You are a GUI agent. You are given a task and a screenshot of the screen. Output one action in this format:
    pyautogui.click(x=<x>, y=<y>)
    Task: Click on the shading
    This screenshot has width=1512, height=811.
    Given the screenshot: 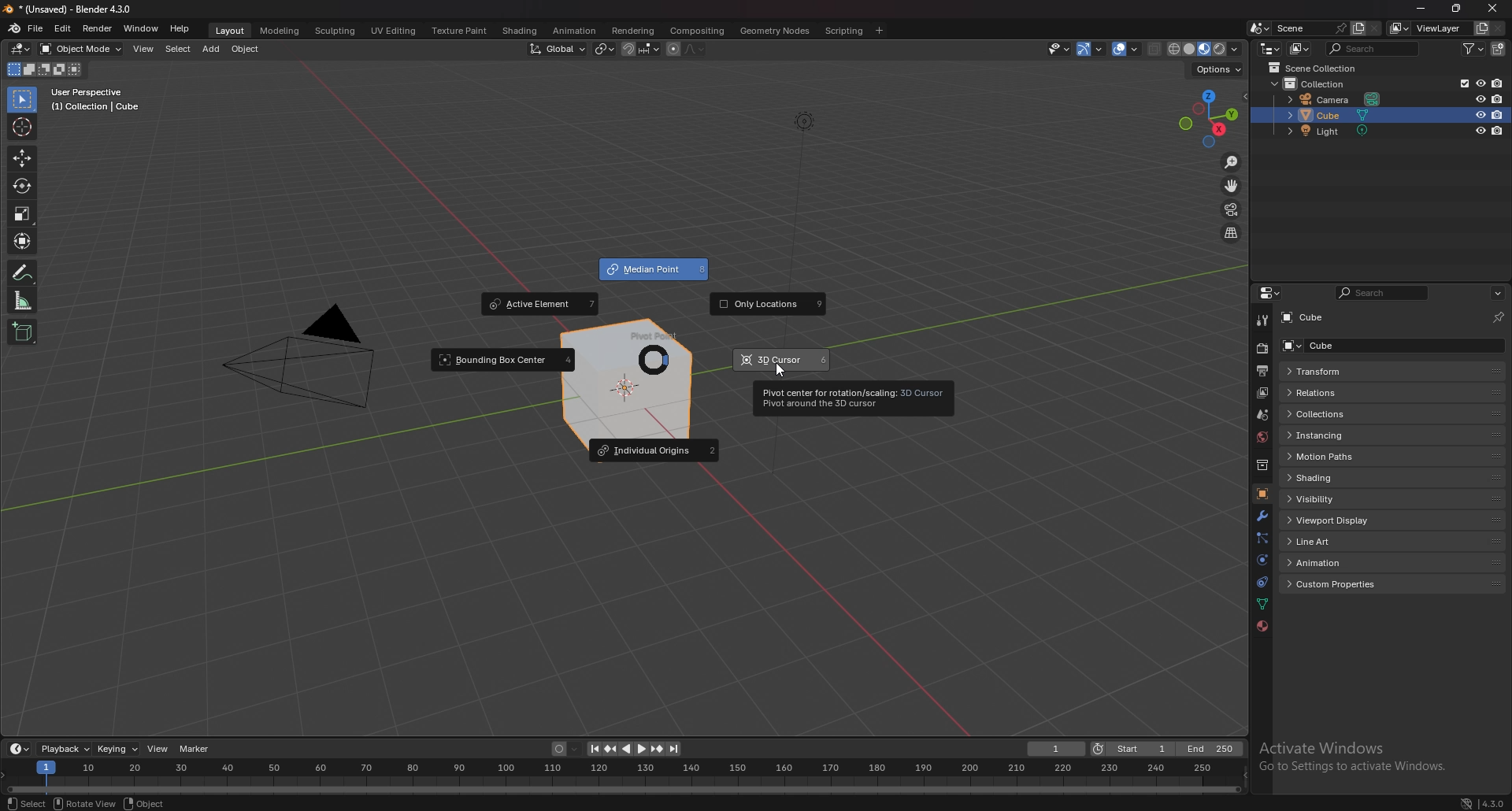 What is the action you would take?
    pyautogui.click(x=1334, y=478)
    